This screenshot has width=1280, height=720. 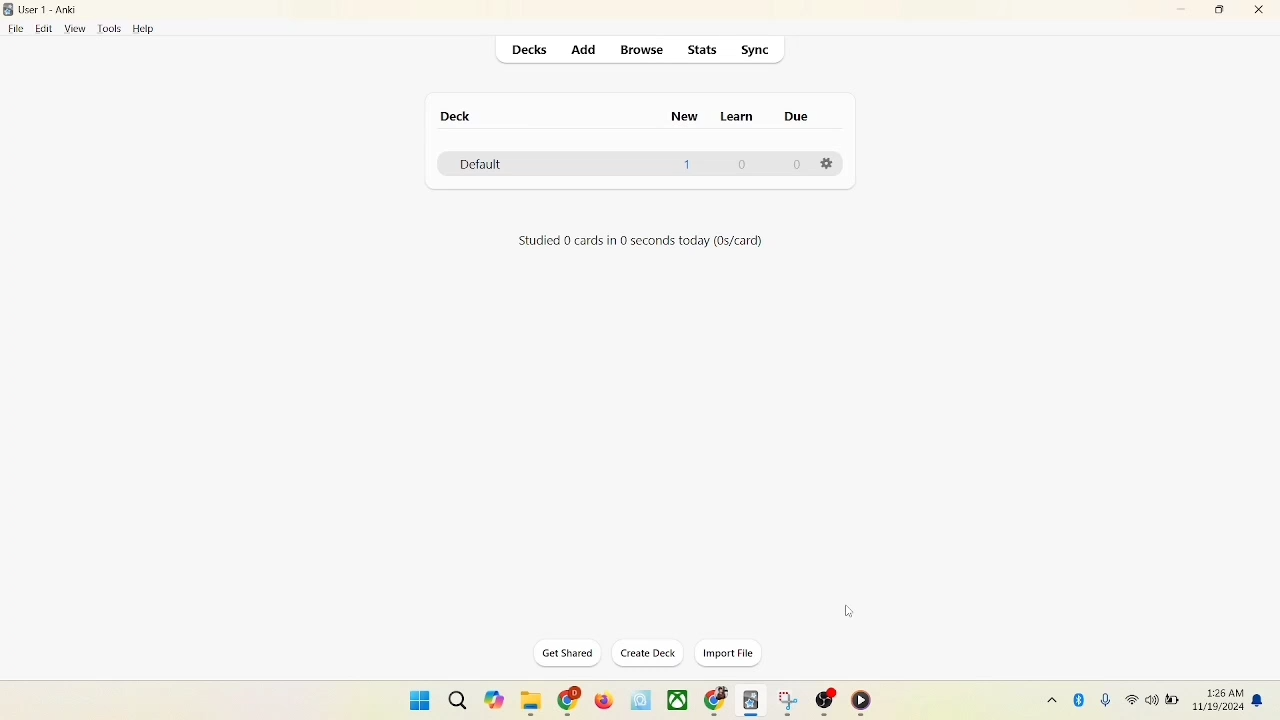 What do you see at coordinates (638, 240) in the screenshot?
I see `text` at bounding box center [638, 240].